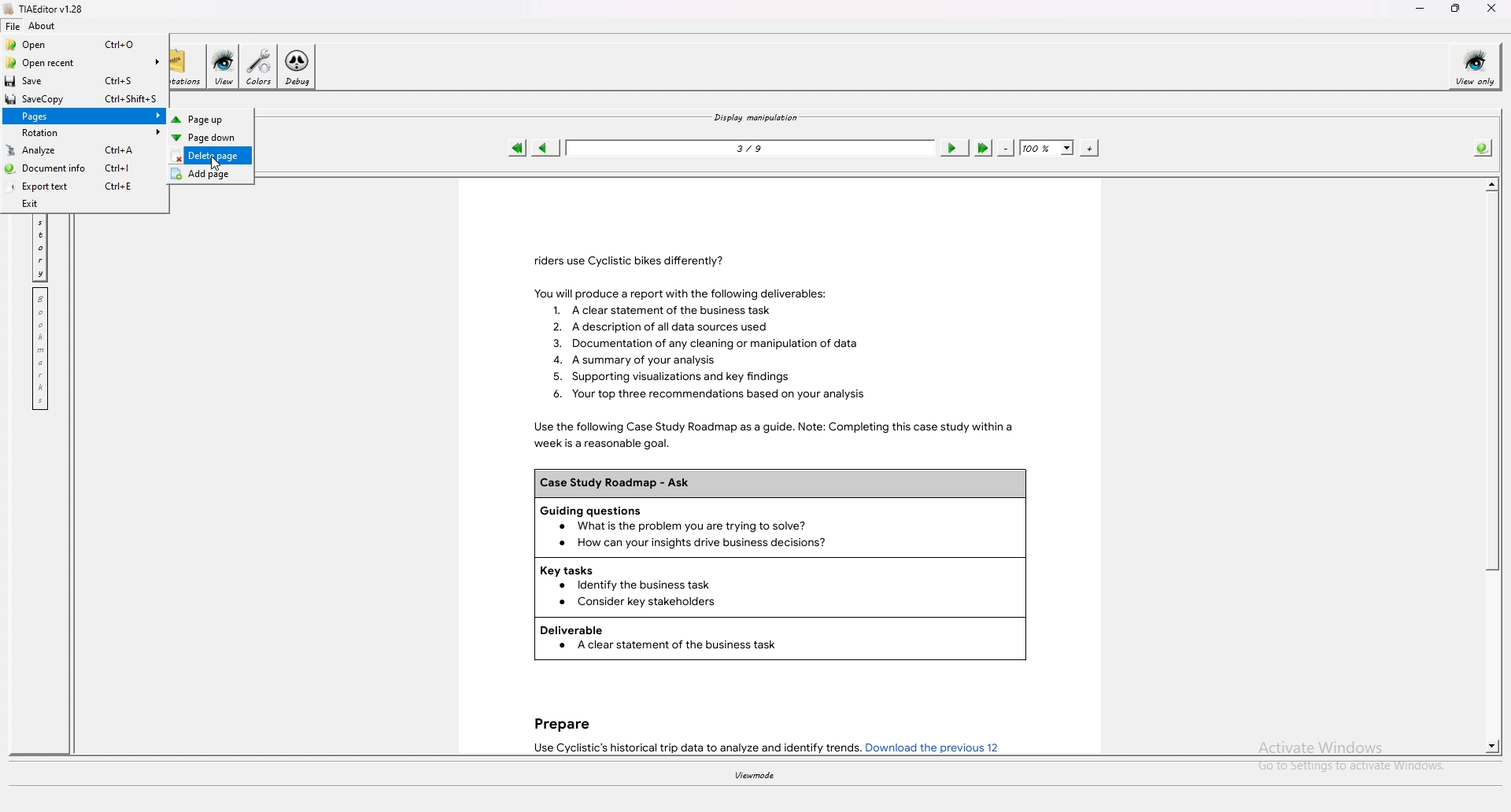 This screenshot has height=812, width=1511. Describe the element at coordinates (71, 205) in the screenshot. I see `Exit` at that location.